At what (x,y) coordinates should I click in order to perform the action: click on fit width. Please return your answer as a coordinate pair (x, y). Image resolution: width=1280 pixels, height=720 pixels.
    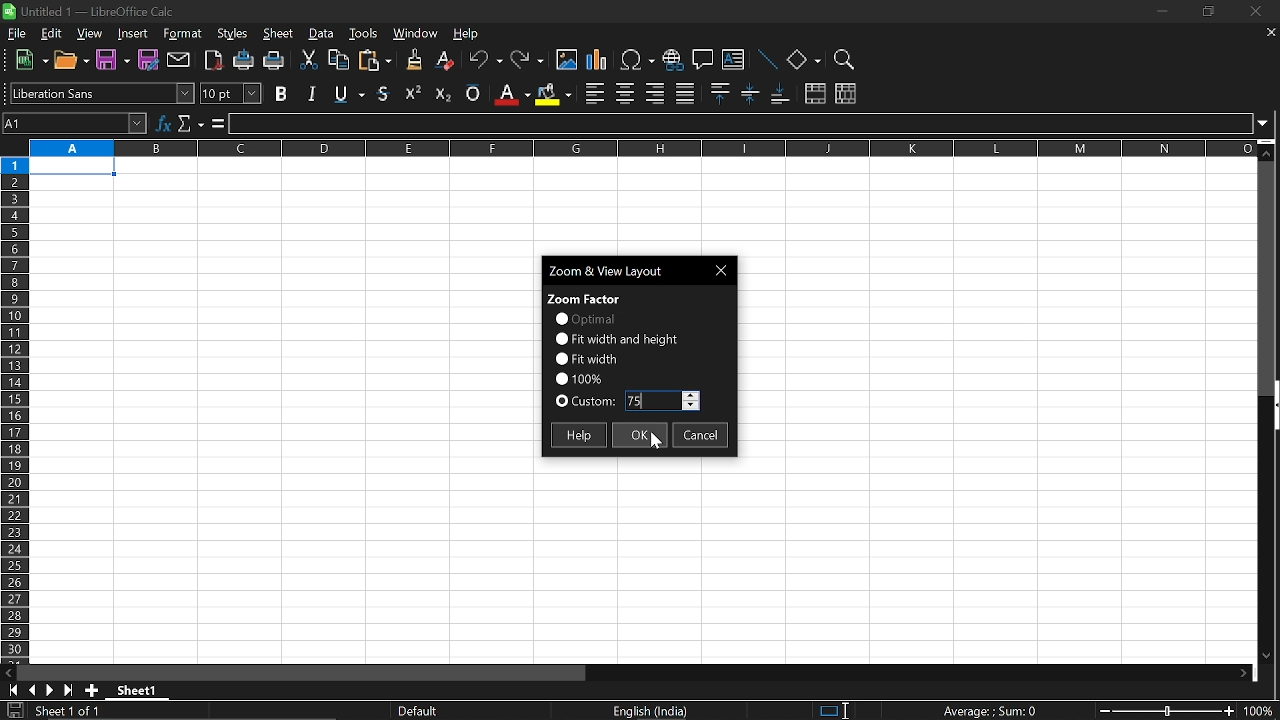
    Looking at the image, I should click on (586, 358).